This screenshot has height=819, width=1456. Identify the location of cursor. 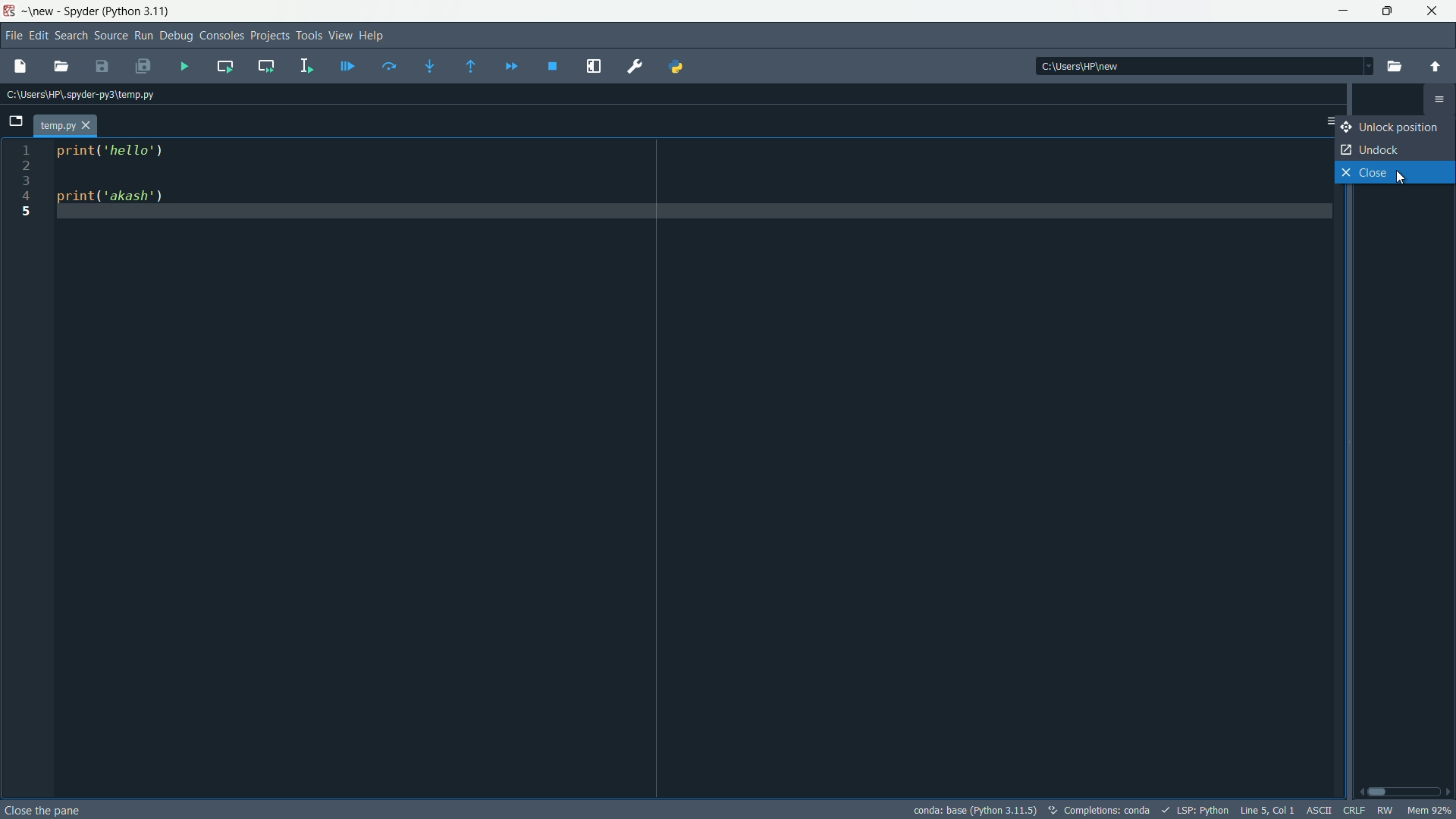
(1405, 180).